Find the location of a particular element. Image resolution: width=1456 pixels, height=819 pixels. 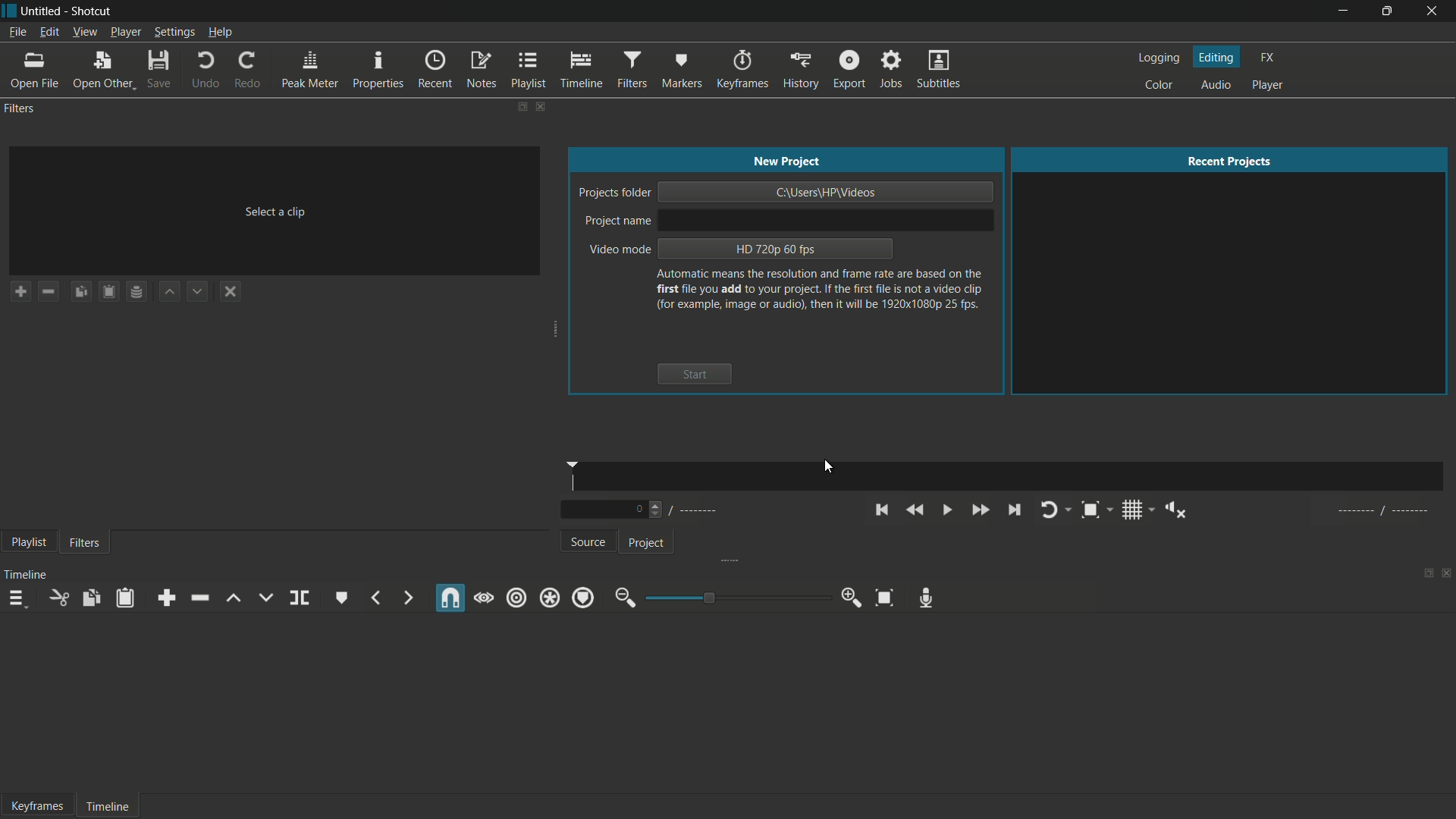

quickly play backward is located at coordinates (913, 509).